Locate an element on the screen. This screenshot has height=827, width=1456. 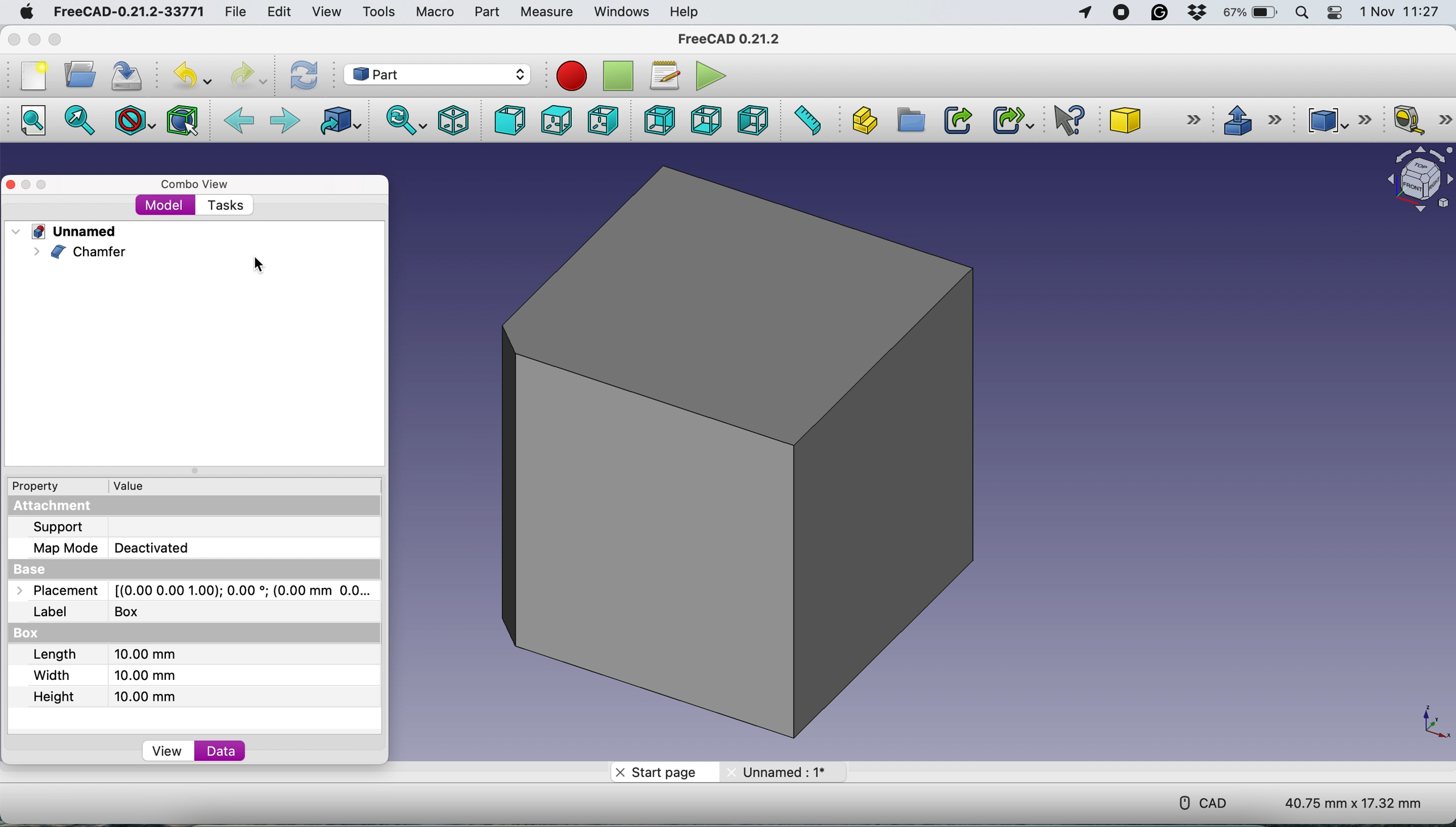
windows is located at coordinates (623, 12).